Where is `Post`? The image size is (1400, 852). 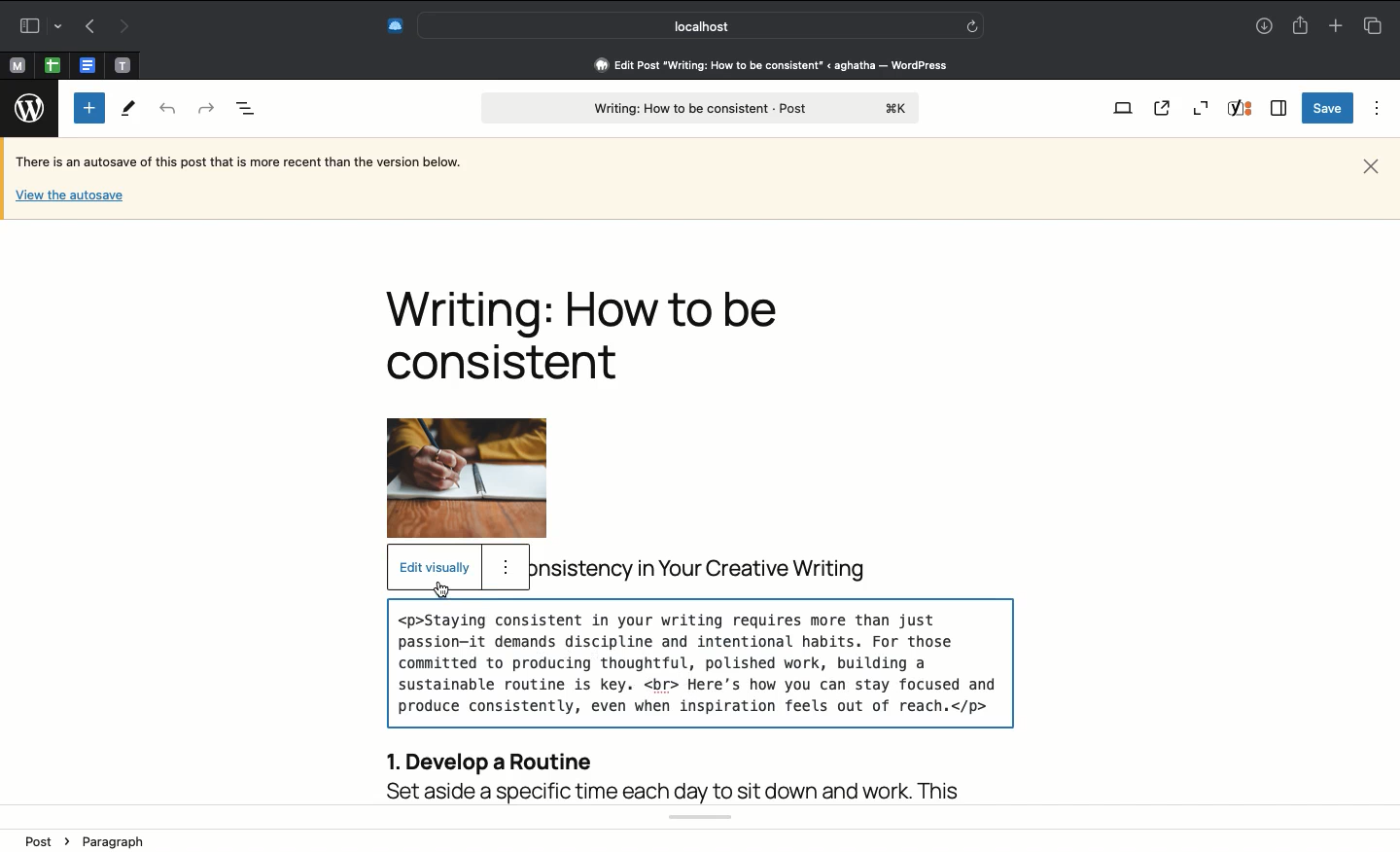 Post is located at coordinates (699, 109).